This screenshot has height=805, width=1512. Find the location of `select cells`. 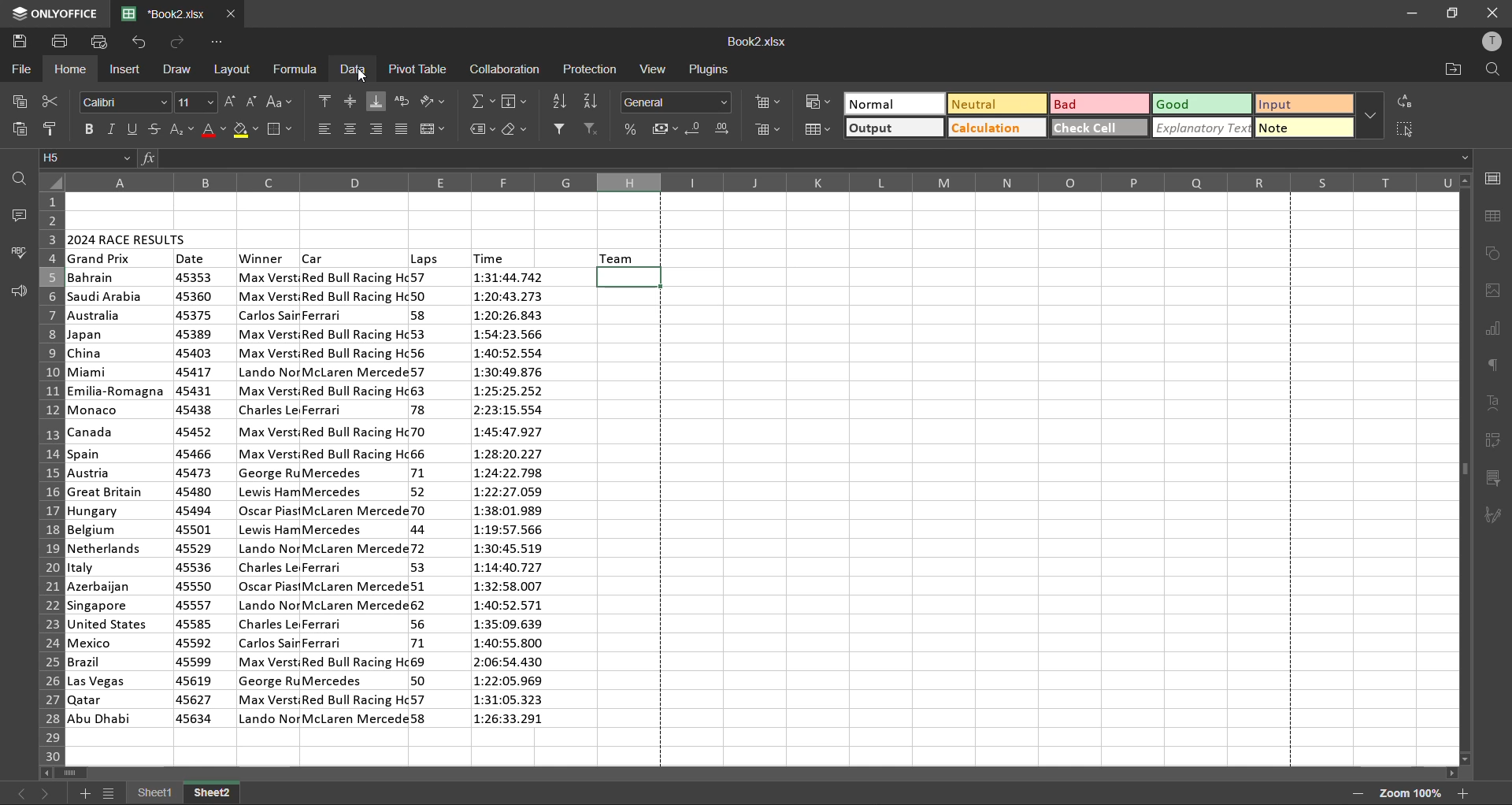

select cells is located at coordinates (1403, 129).